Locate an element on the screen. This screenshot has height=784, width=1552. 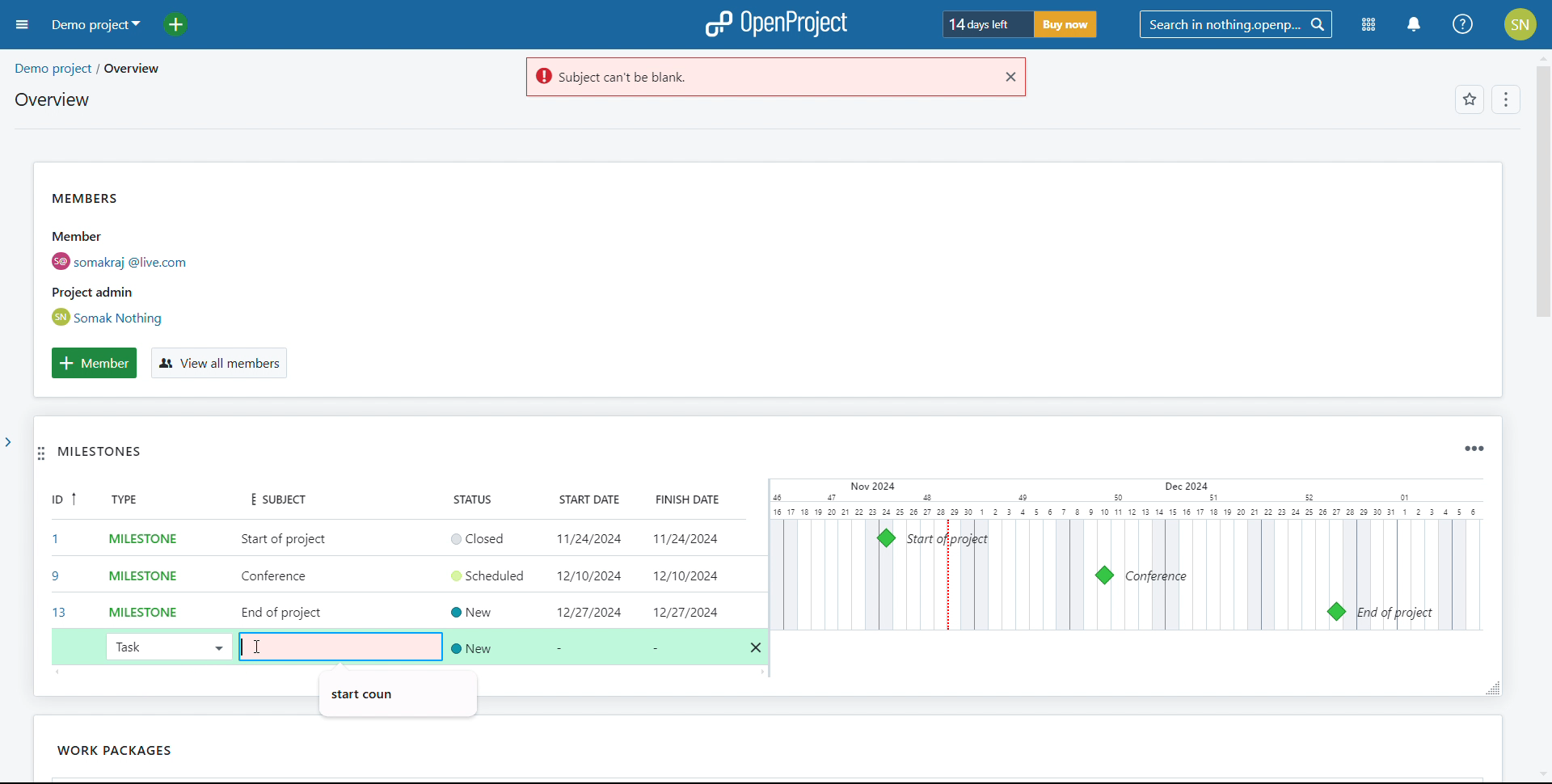
work packages is located at coordinates (77, 750).